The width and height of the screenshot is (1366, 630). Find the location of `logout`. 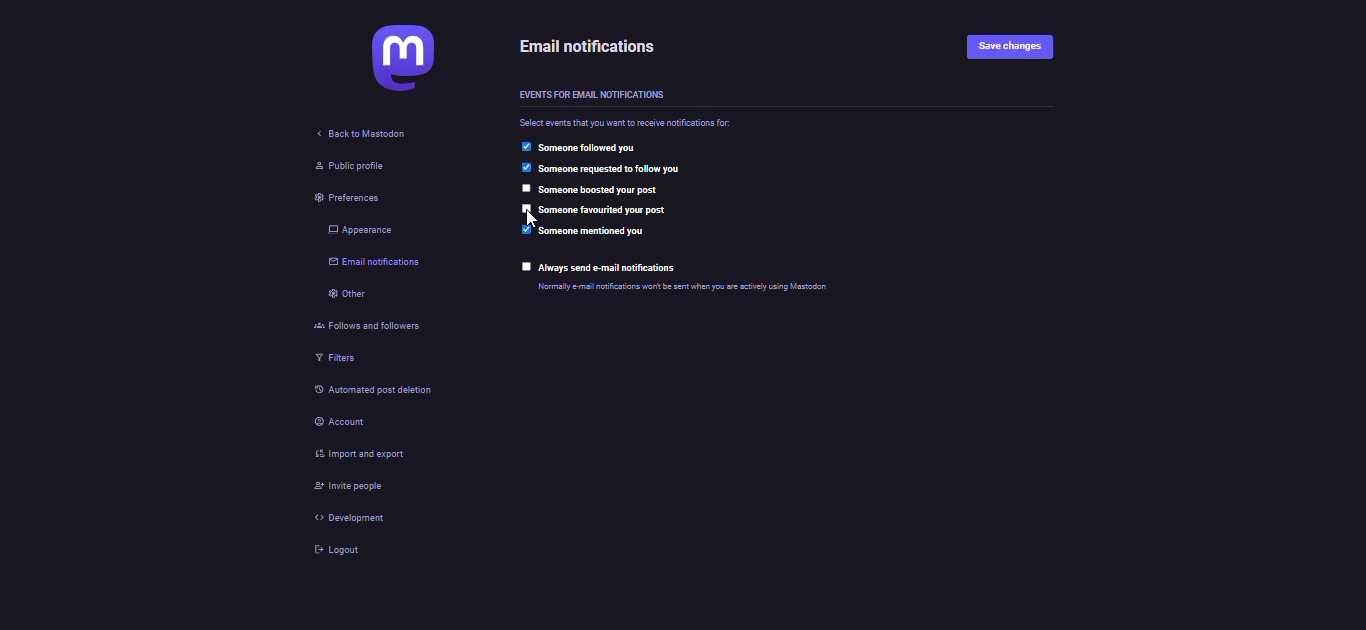

logout is located at coordinates (335, 549).